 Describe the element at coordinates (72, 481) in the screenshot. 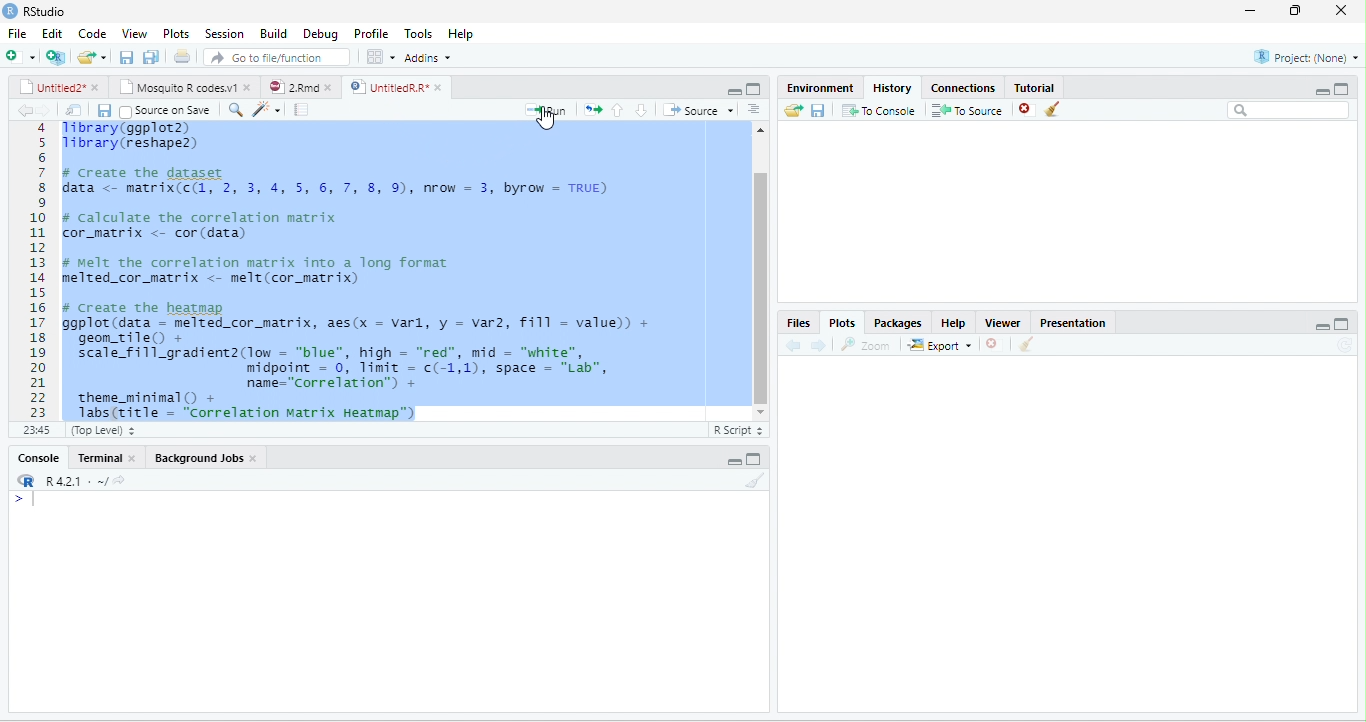

I see `R` at that location.